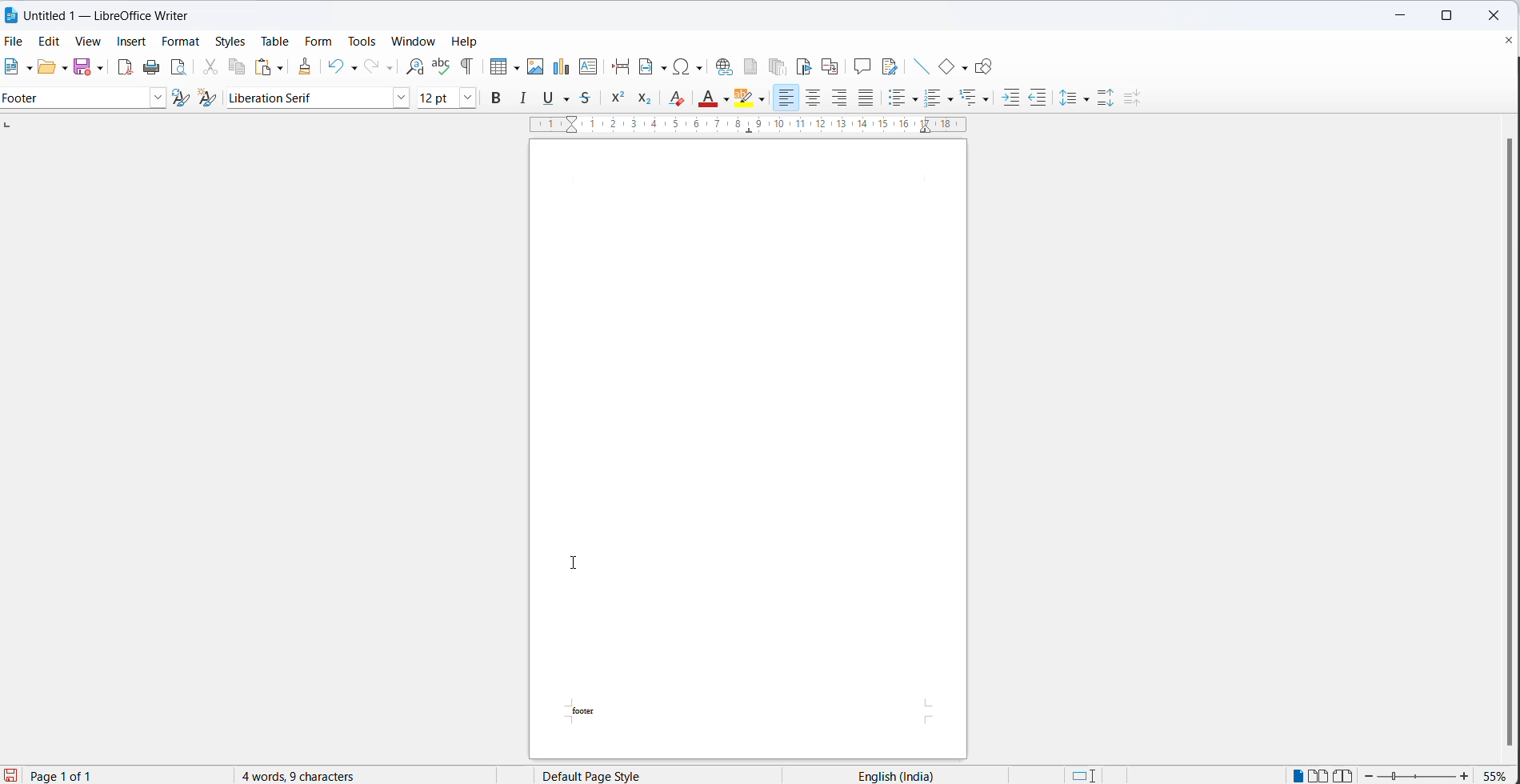  Describe the element at coordinates (1010, 98) in the screenshot. I see `increase indent` at that location.